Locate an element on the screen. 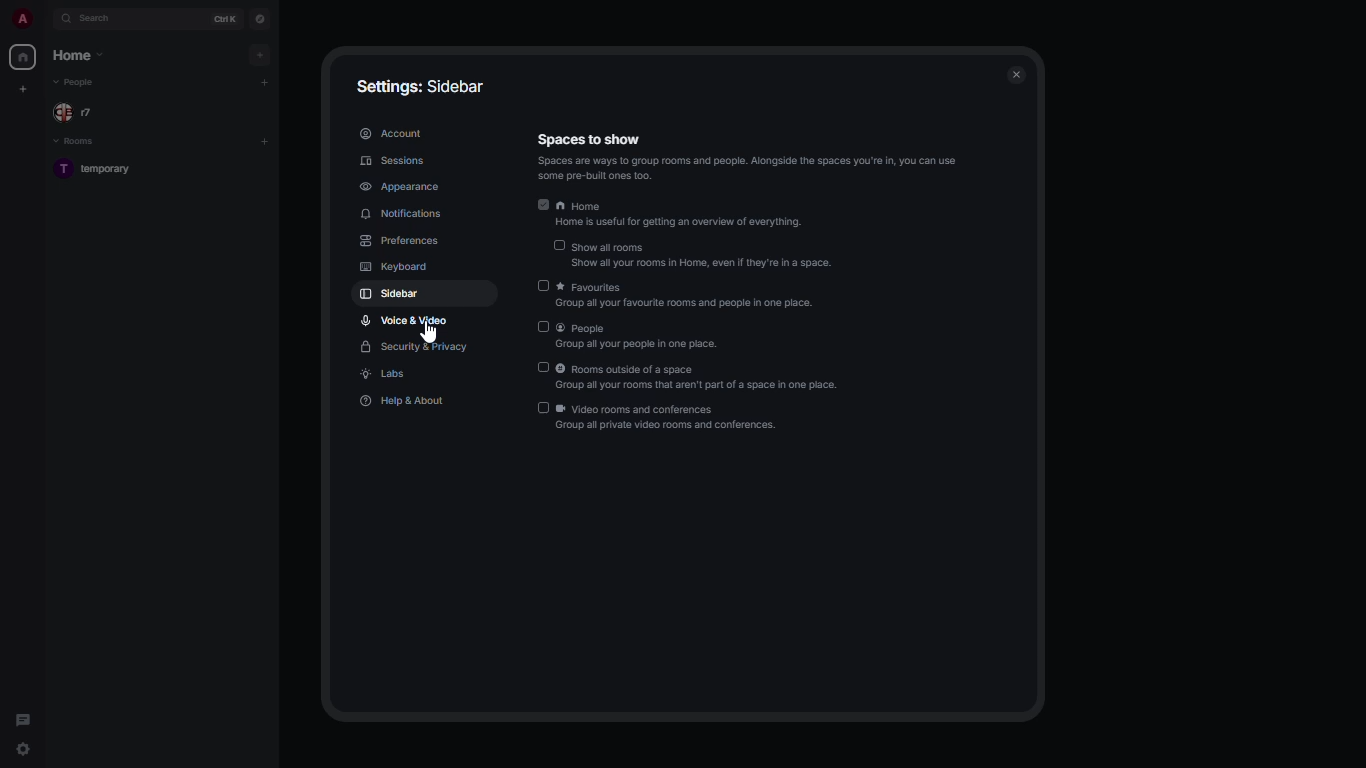  navigator is located at coordinates (258, 18).